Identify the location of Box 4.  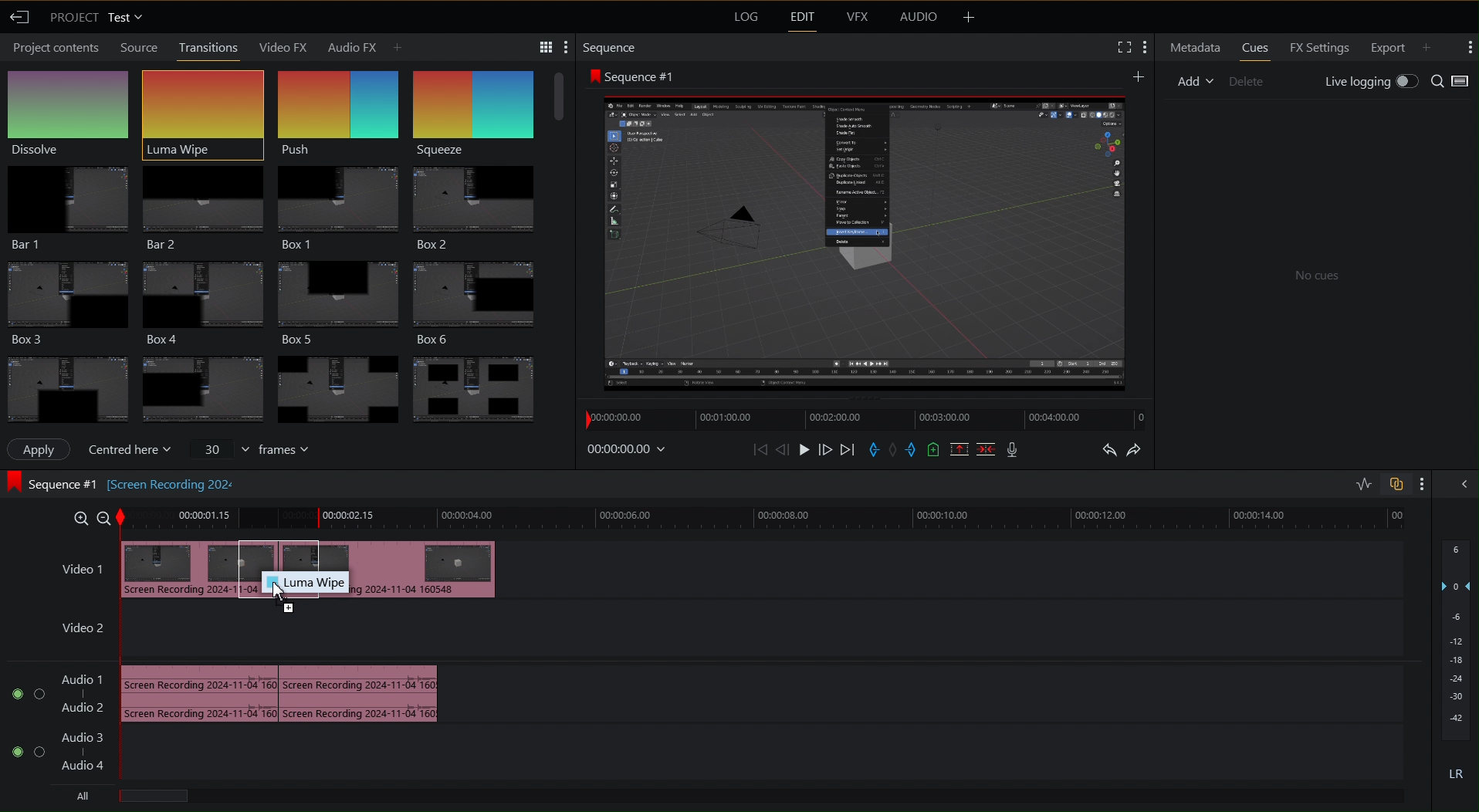
(201, 299).